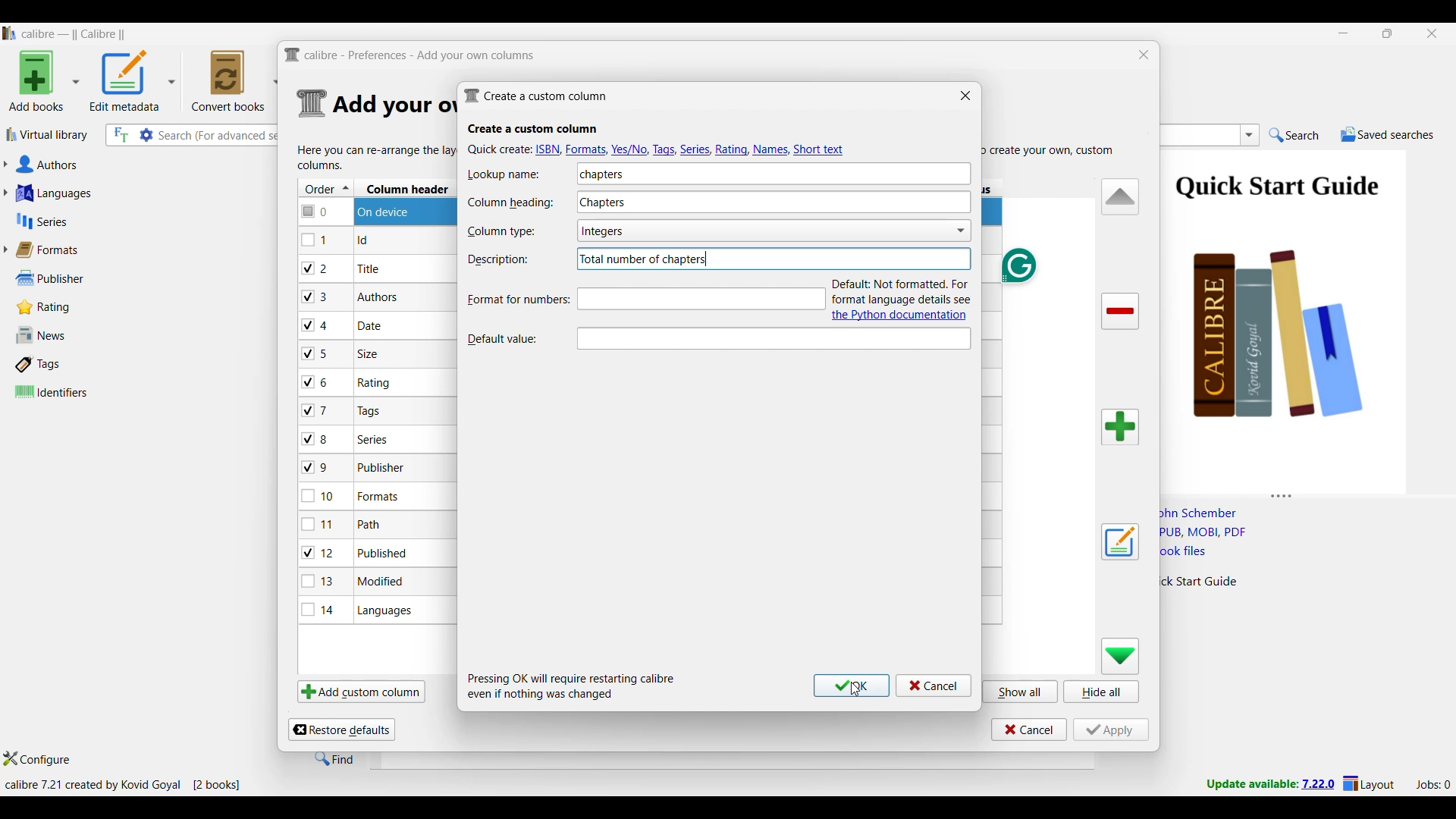 The image size is (1456, 819). I want to click on Virtual library, so click(48, 134).